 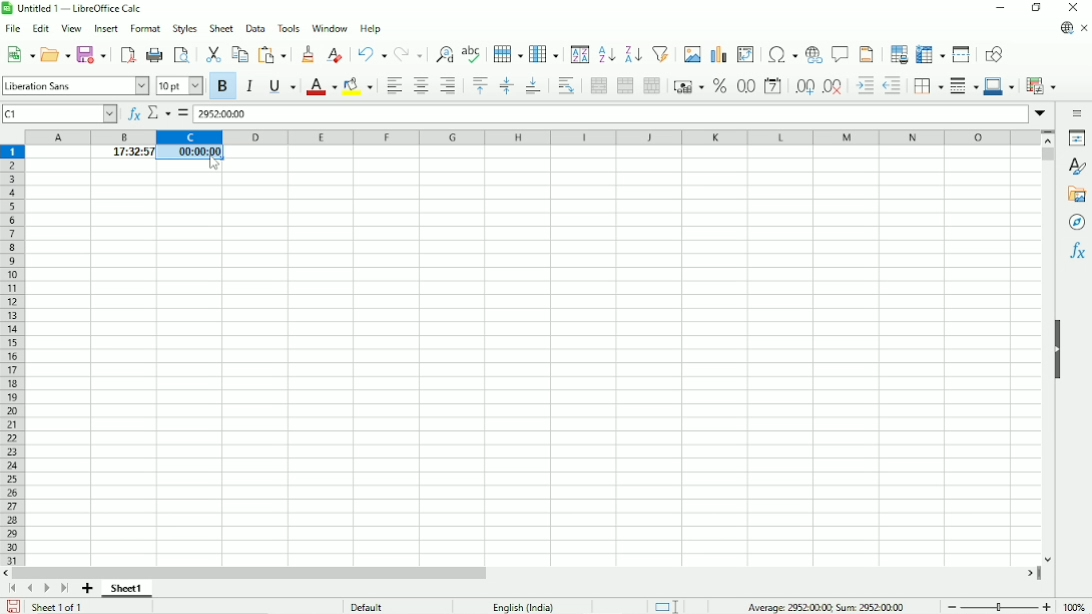 What do you see at coordinates (319, 87) in the screenshot?
I see `Font color` at bounding box center [319, 87].